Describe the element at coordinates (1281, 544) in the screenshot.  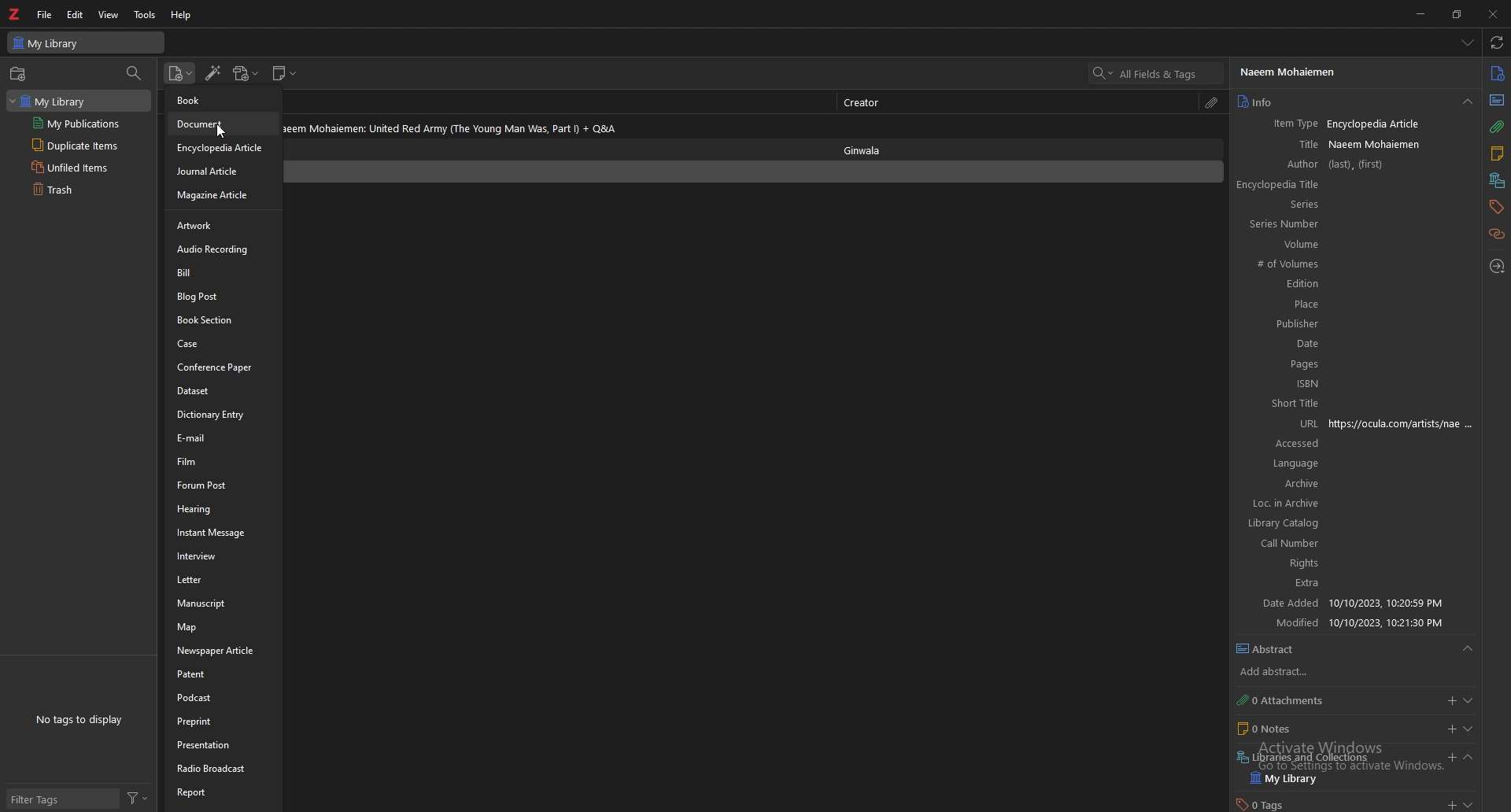
I see `call number` at that location.